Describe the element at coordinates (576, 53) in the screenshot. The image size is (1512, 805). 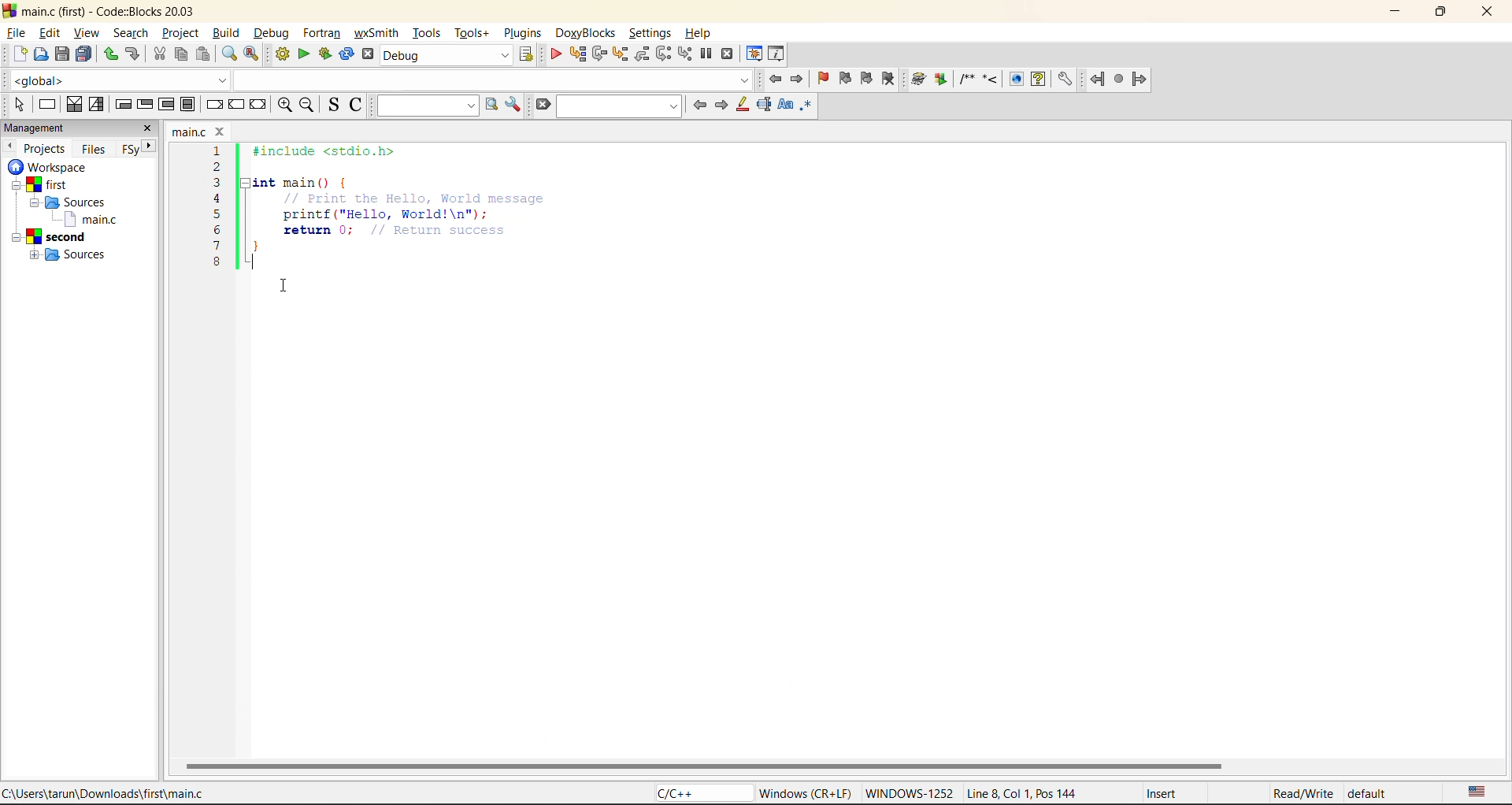
I see `run to cursor` at that location.